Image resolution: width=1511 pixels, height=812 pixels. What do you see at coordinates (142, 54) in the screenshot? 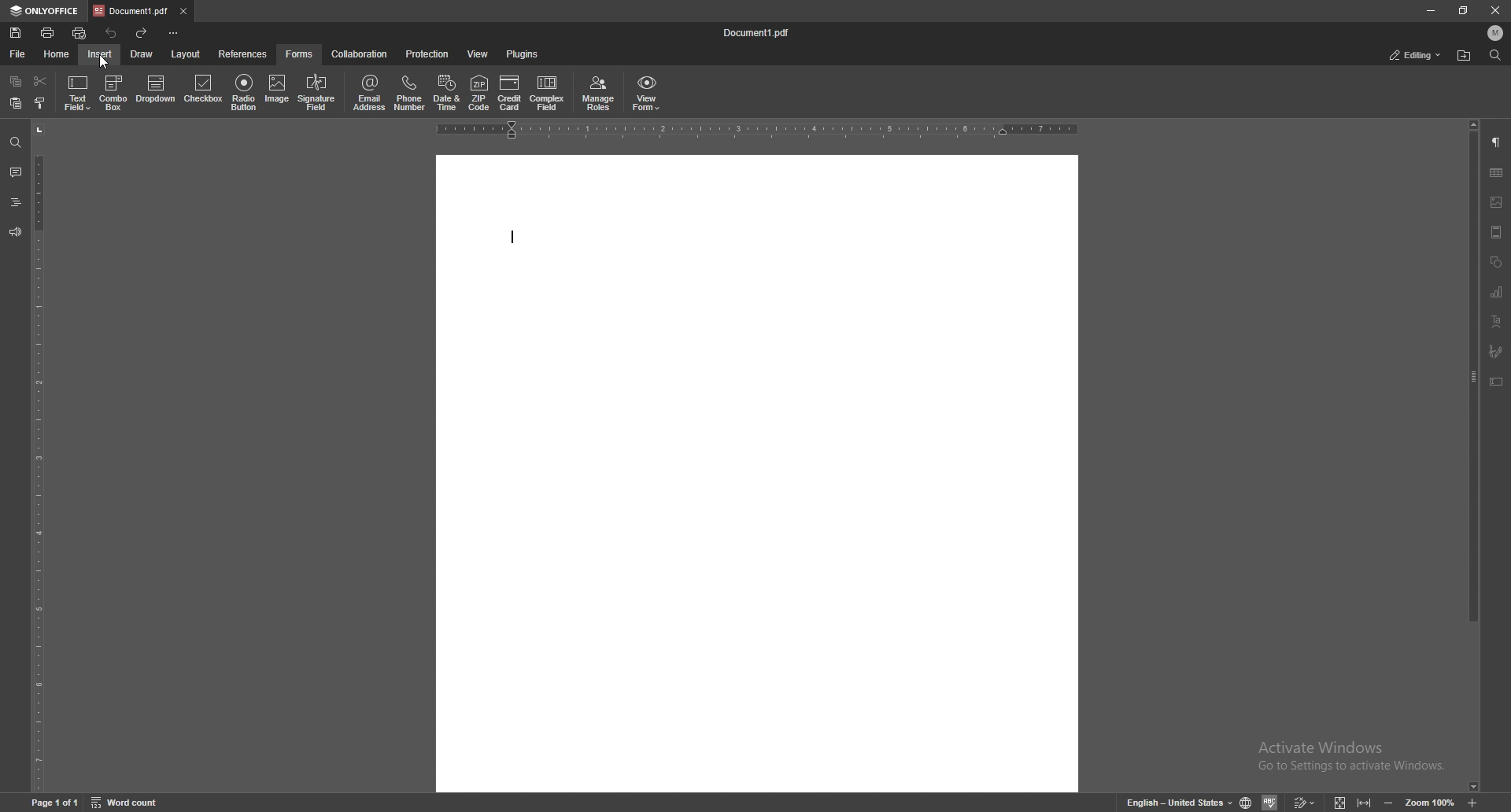
I see `draw` at bounding box center [142, 54].